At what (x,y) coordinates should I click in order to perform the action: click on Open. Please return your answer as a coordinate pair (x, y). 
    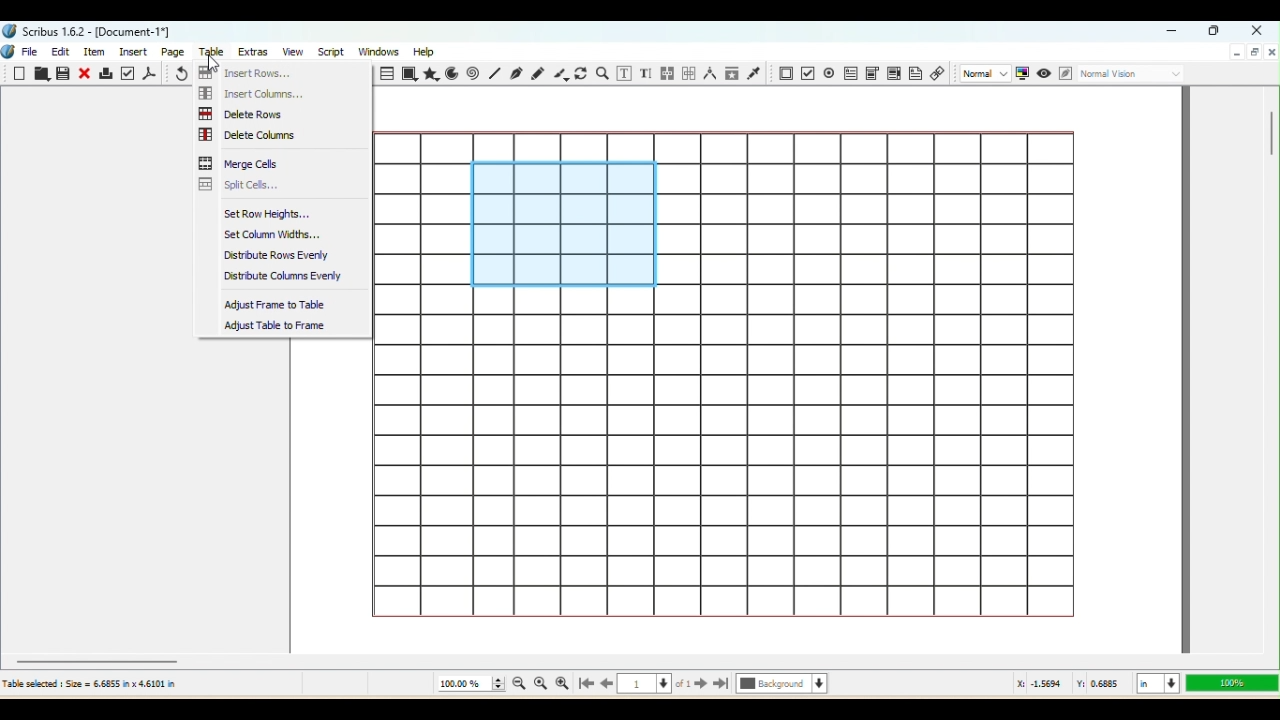
    Looking at the image, I should click on (41, 75).